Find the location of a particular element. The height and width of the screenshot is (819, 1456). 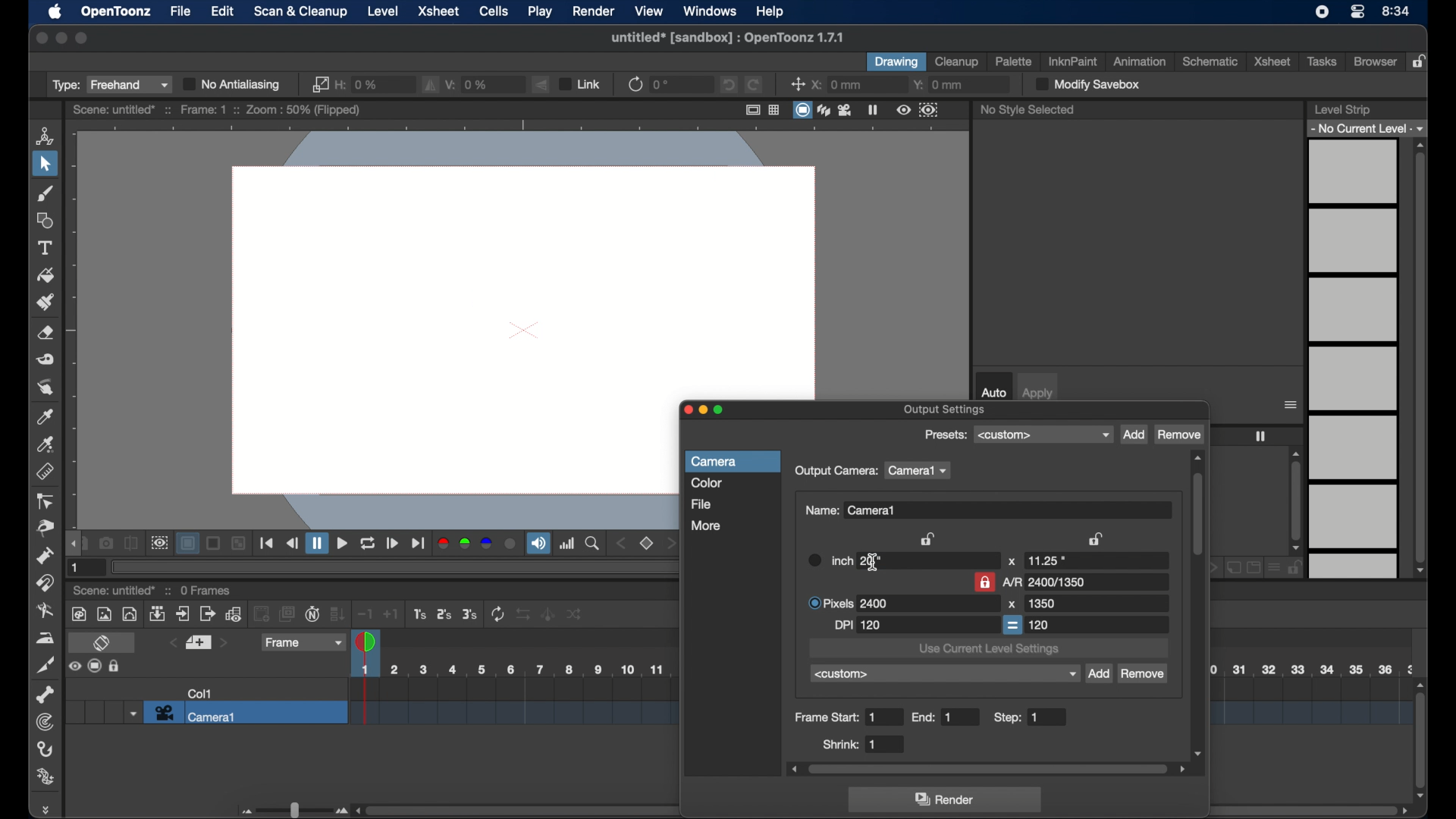

preview is located at coordinates (159, 543).